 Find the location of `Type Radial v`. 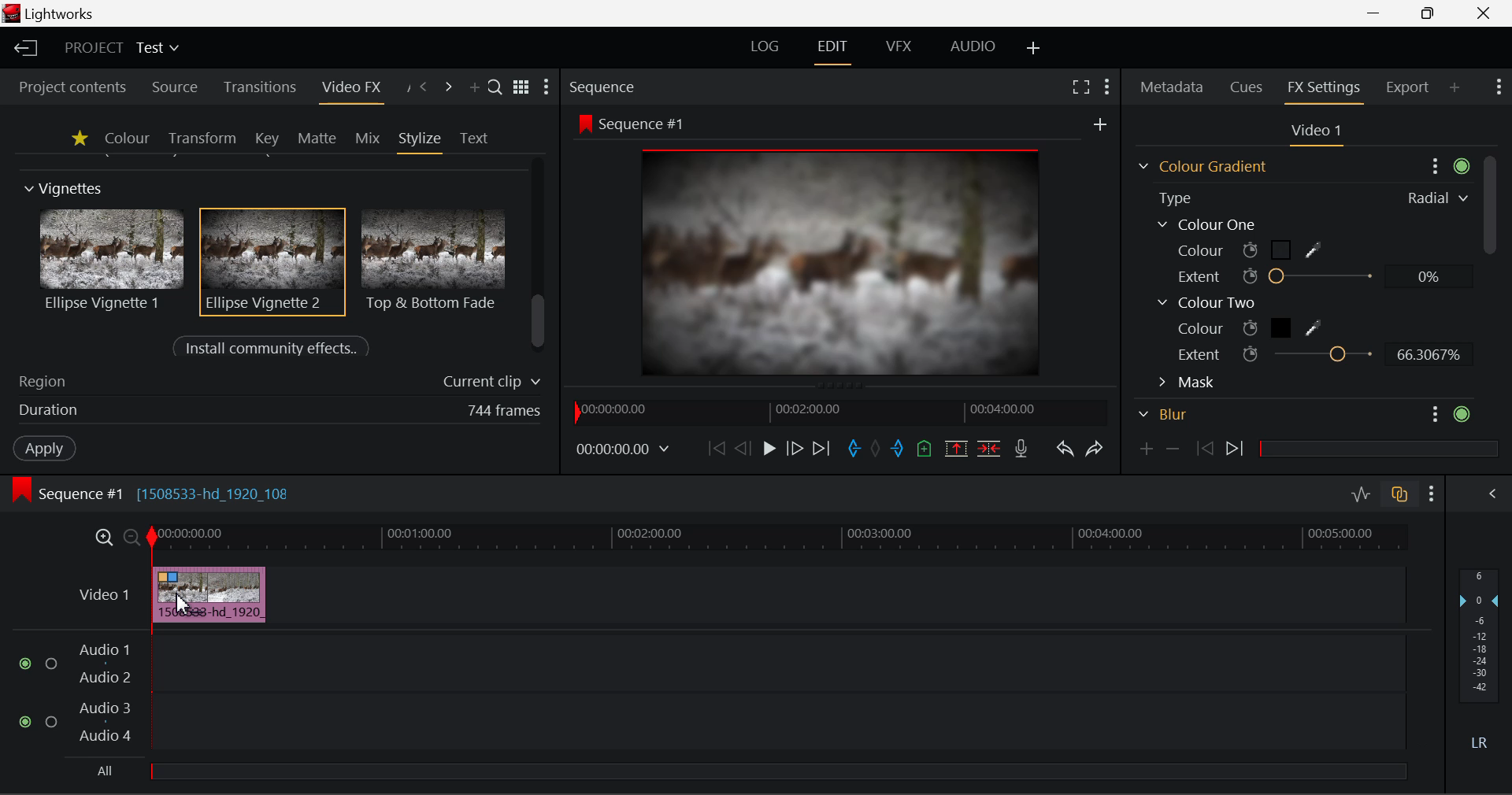

Type Radial v is located at coordinates (1310, 197).